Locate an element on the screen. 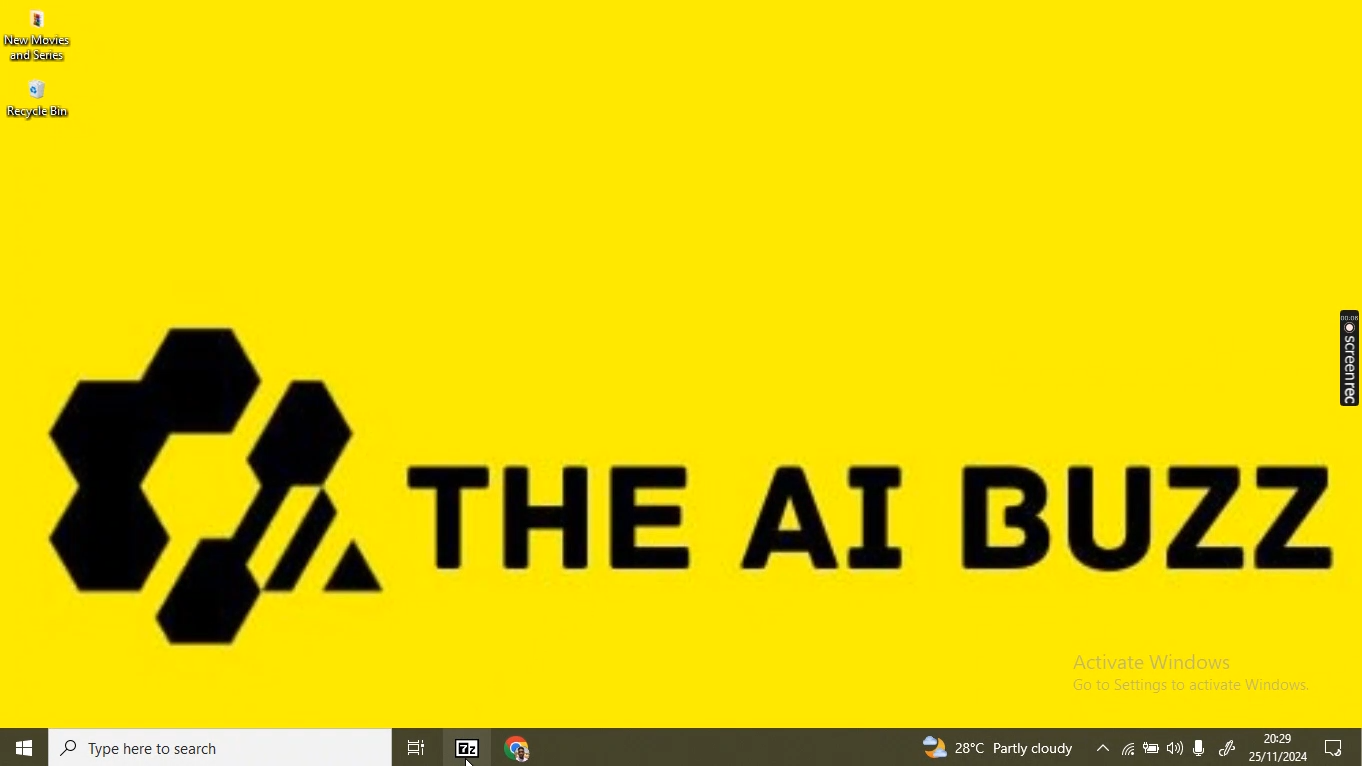 The height and width of the screenshot is (766, 1362). the ai buzz logo is located at coordinates (213, 483).